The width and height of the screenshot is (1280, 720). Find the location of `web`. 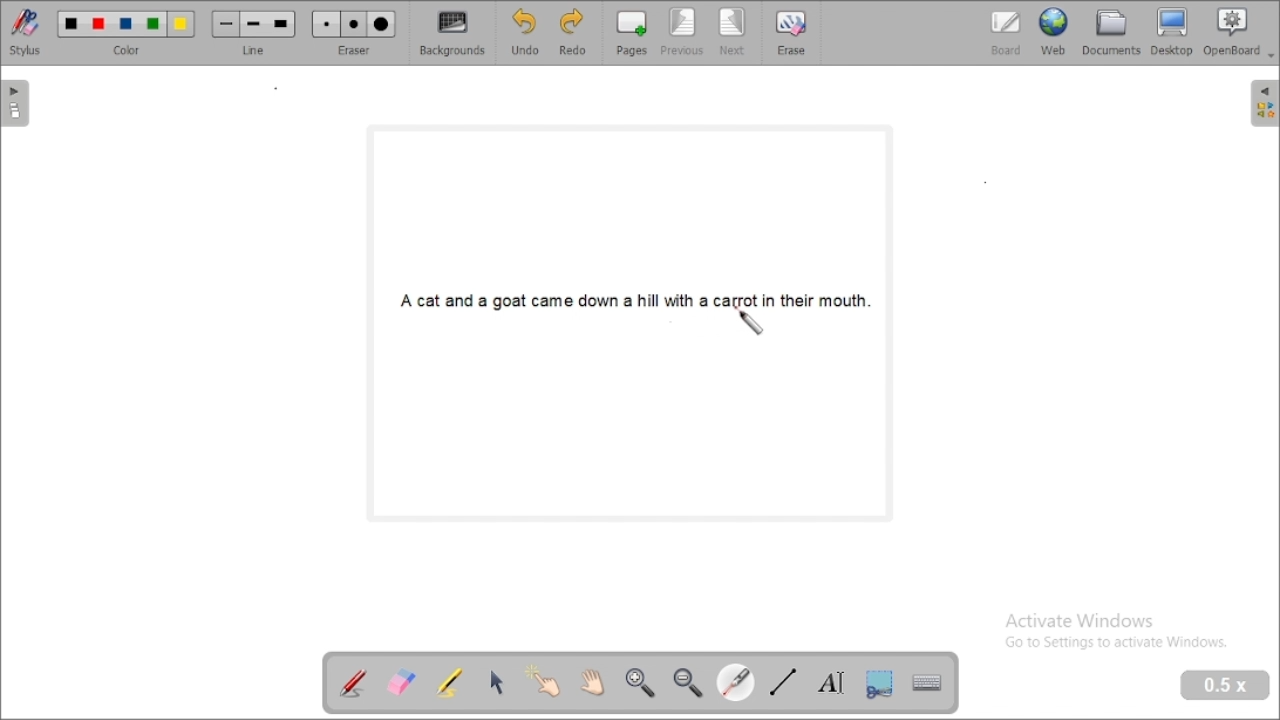

web is located at coordinates (1054, 32).